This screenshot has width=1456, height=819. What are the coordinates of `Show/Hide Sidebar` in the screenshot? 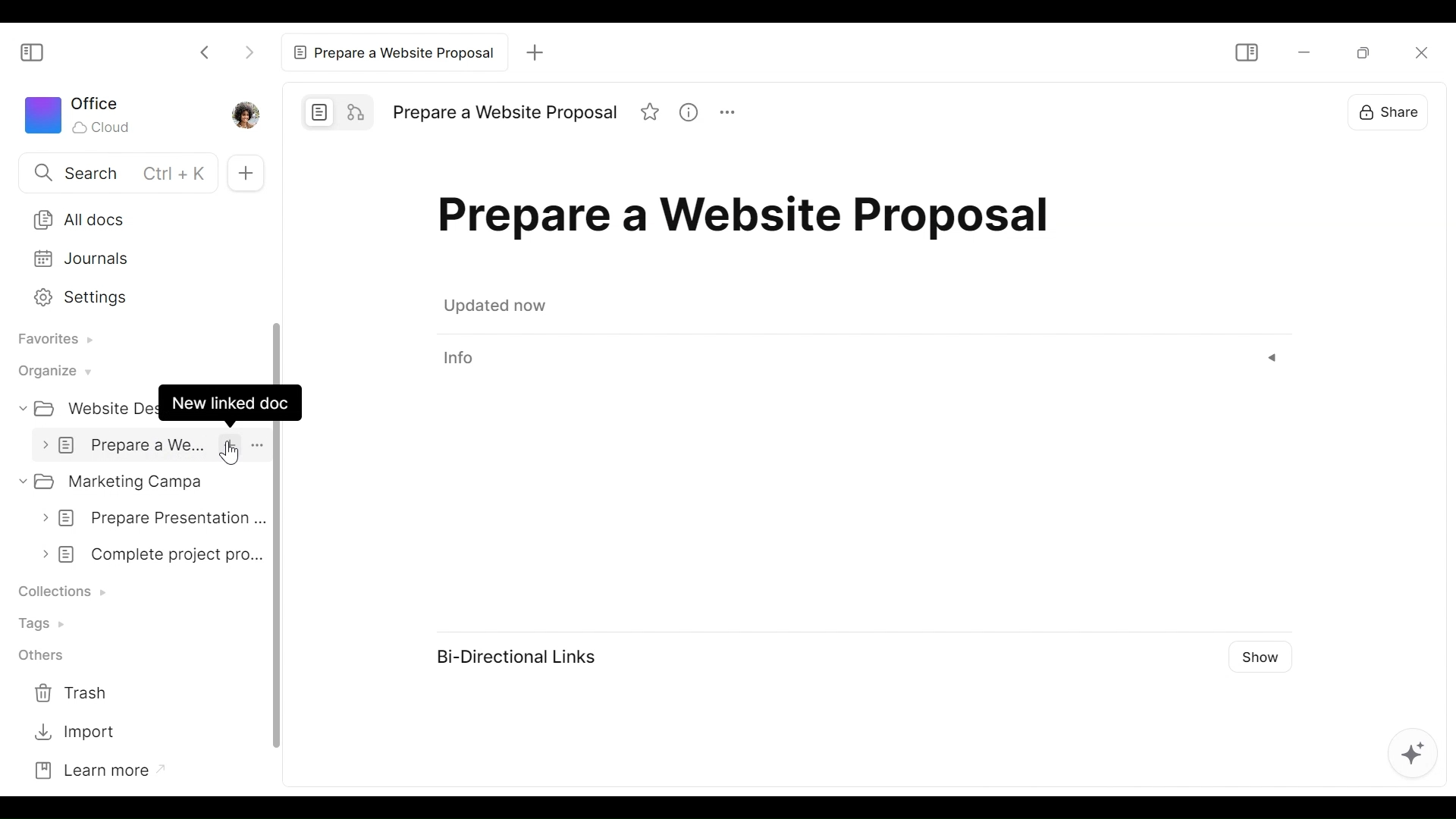 It's located at (1246, 52).